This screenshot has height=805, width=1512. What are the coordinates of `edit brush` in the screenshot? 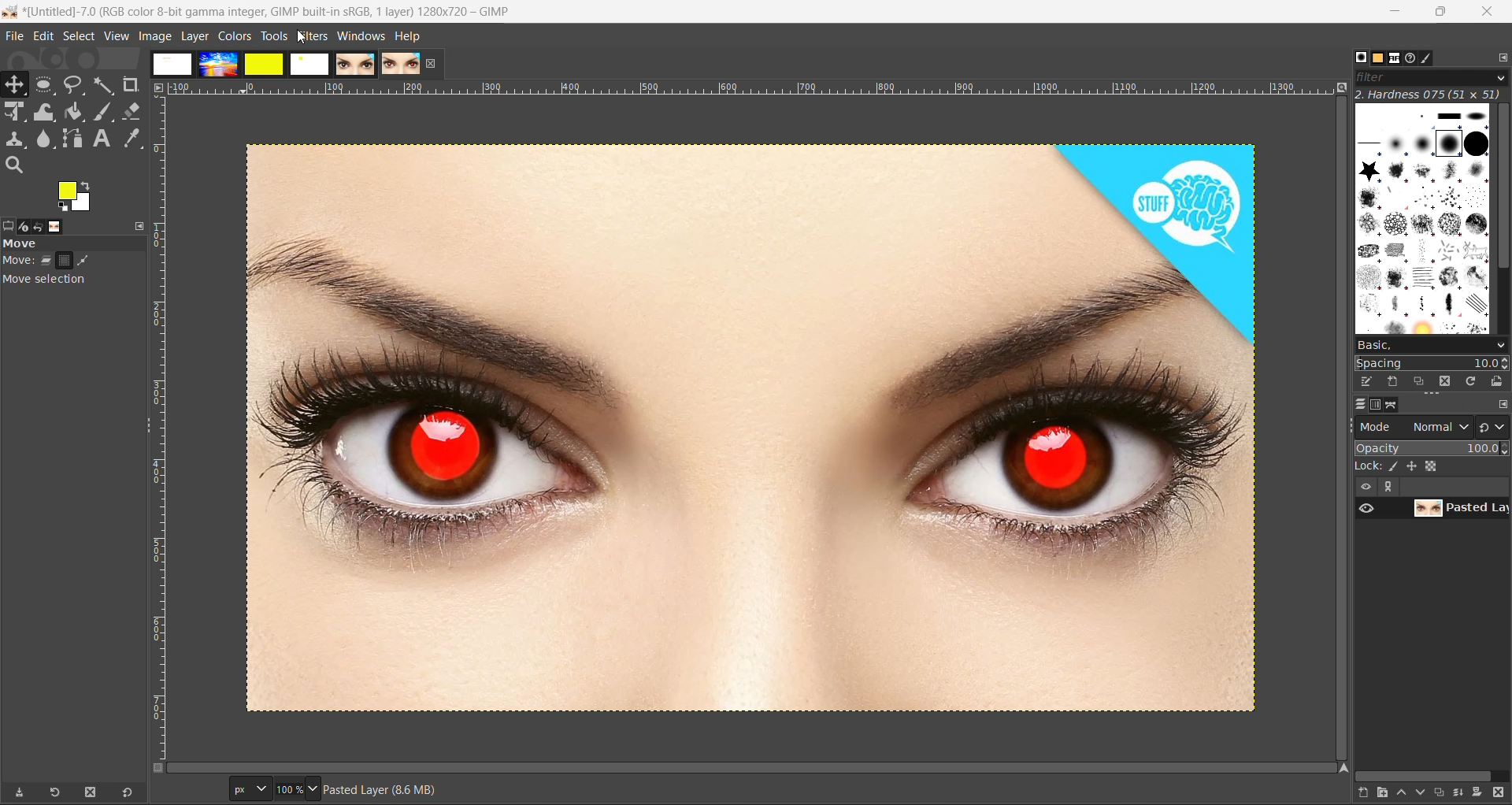 It's located at (1368, 382).